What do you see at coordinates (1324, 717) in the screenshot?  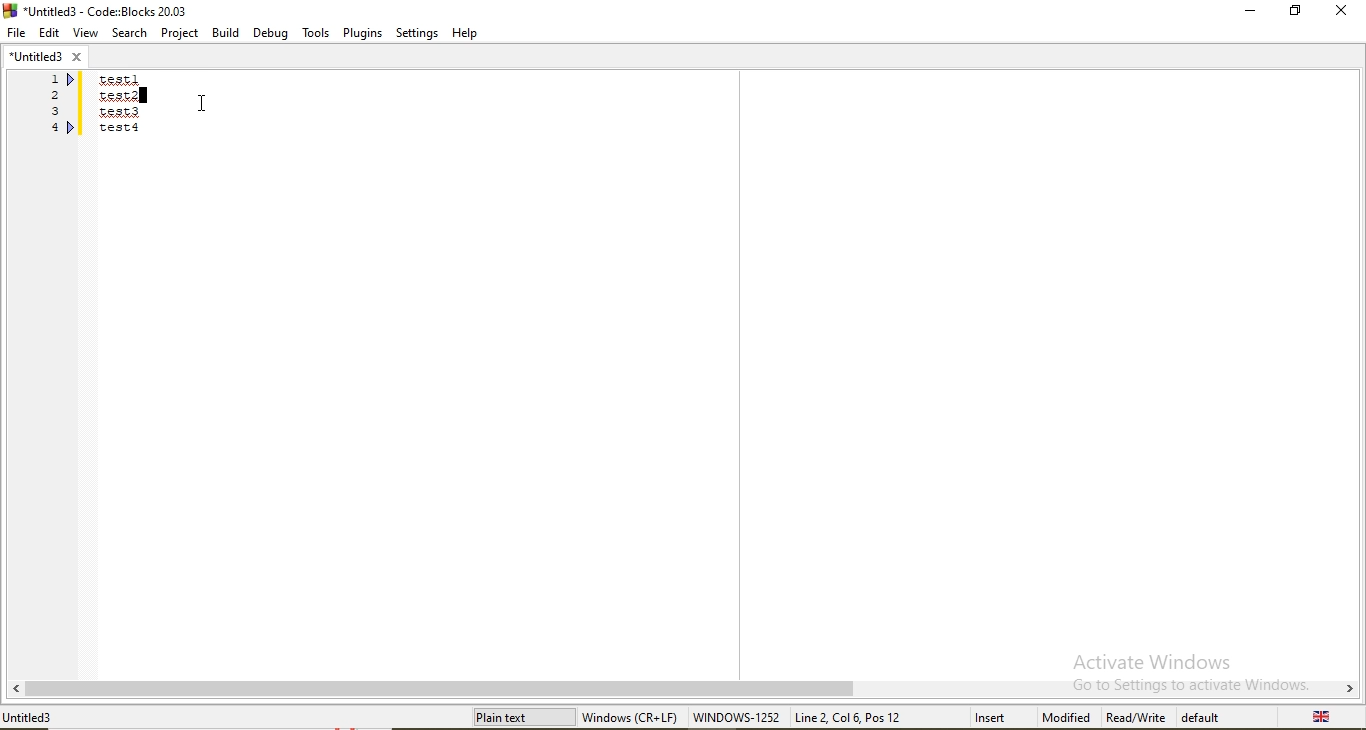 I see `language` at bounding box center [1324, 717].